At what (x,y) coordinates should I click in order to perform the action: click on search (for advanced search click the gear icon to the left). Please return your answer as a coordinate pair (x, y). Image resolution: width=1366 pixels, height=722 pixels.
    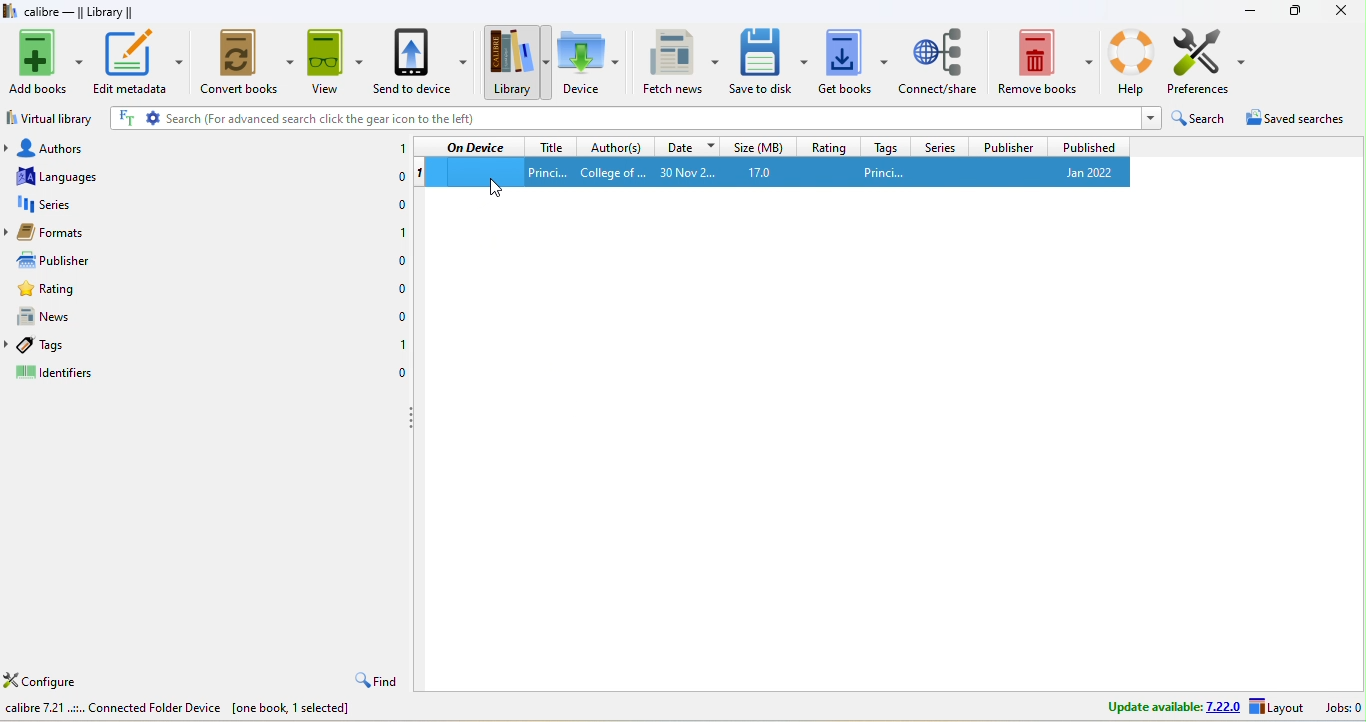
    Looking at the image, I should click on (651, 119).